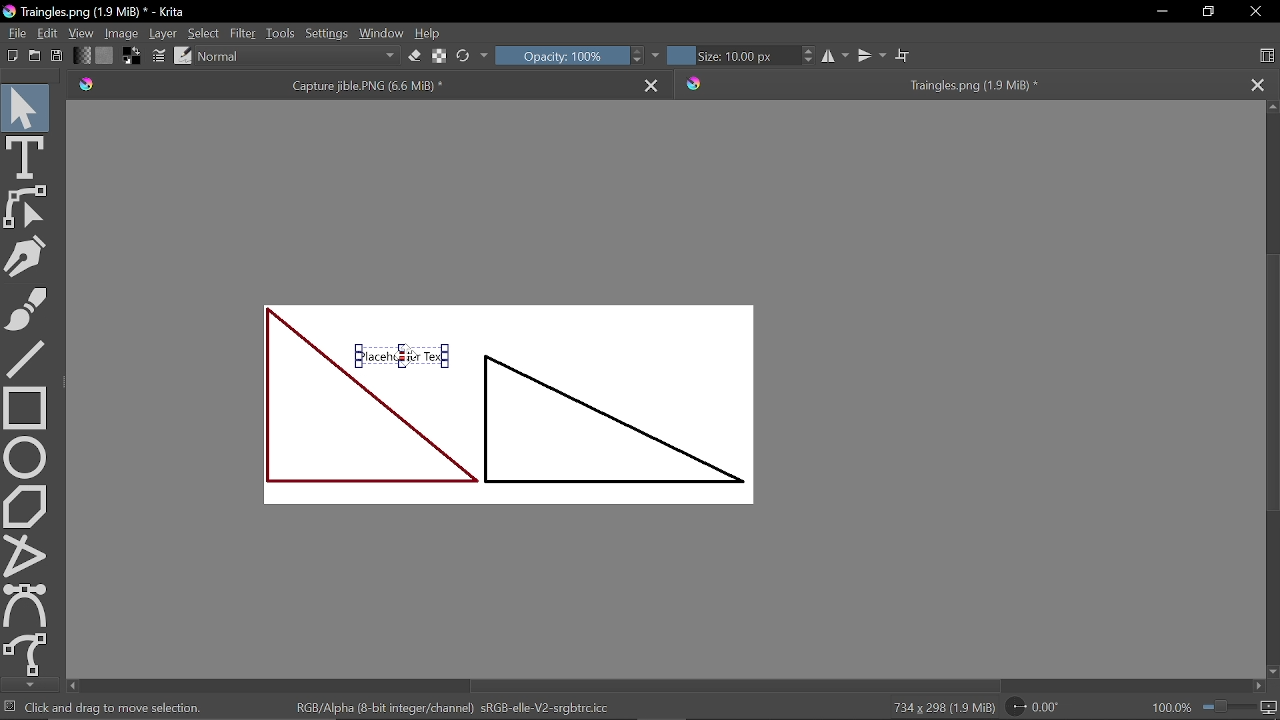 The image size is (1280, 720). Describe the element at coordinates (25, 507) in the screenshot. I see `Polygon tool` at that location.